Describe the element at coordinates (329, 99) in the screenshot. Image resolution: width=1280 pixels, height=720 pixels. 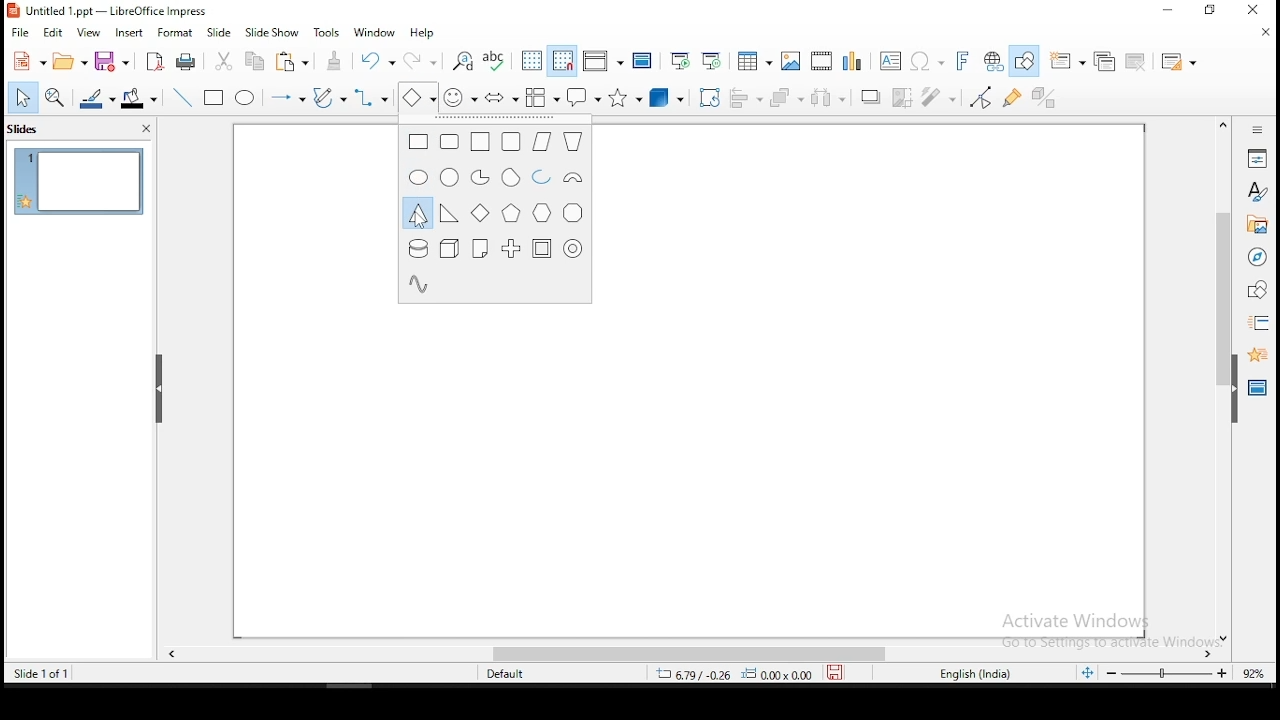
I see `curves and polygons` at that location.